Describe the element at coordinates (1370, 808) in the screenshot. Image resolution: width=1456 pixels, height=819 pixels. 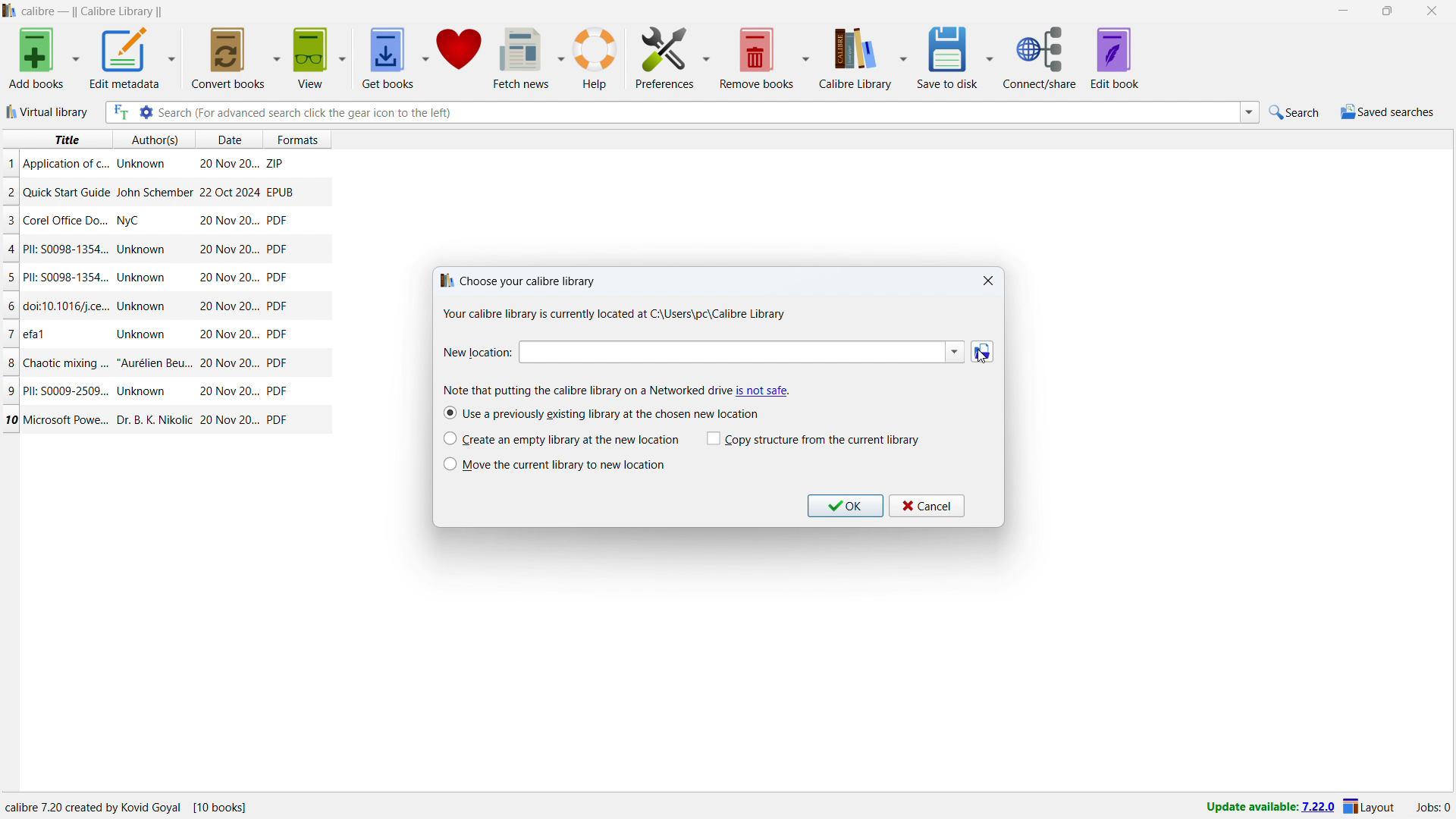
I see `layout` at that location.